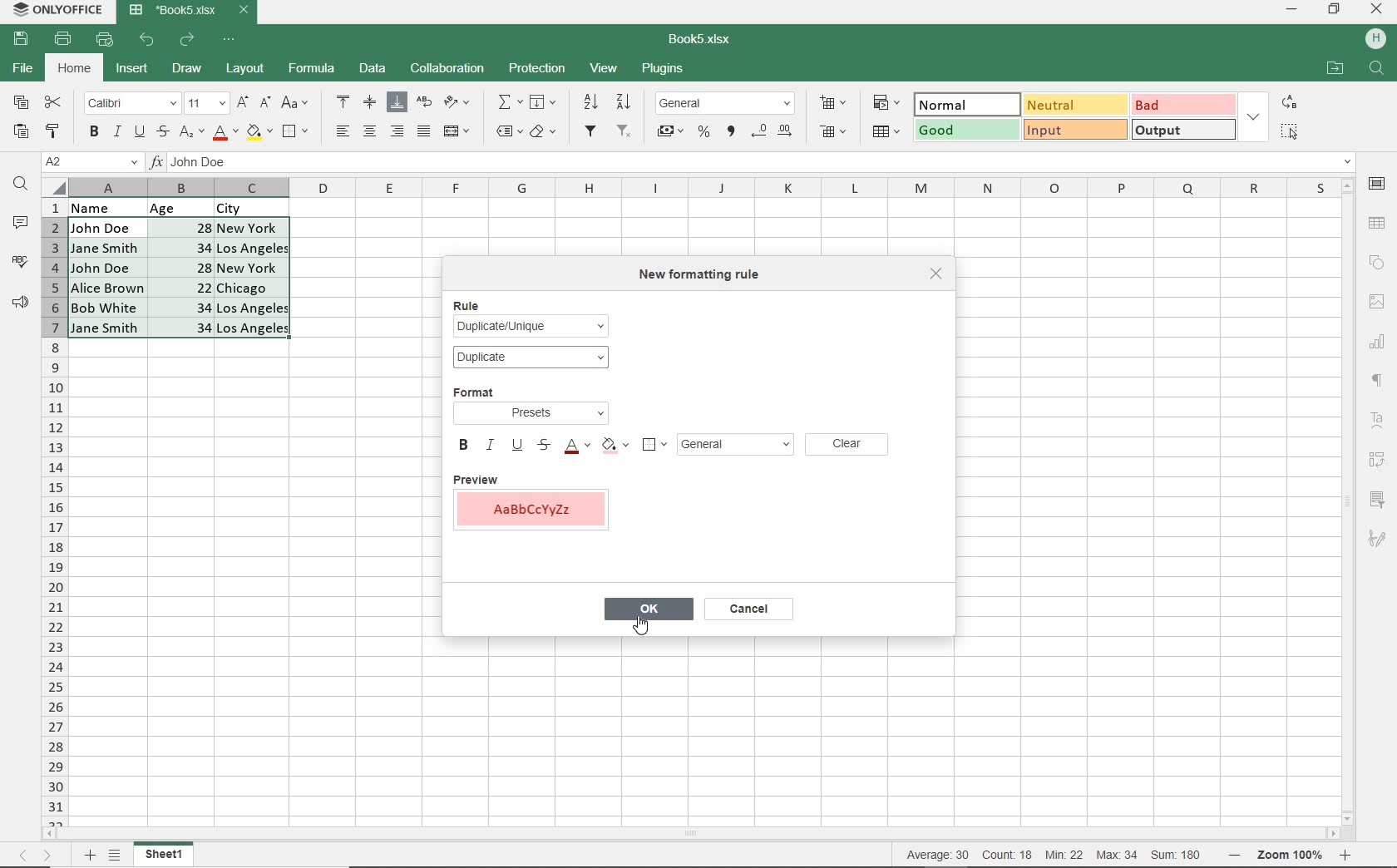  Describe the element at coordinates (490, 446) in the screenshot. I see `ITALIC` at that location.